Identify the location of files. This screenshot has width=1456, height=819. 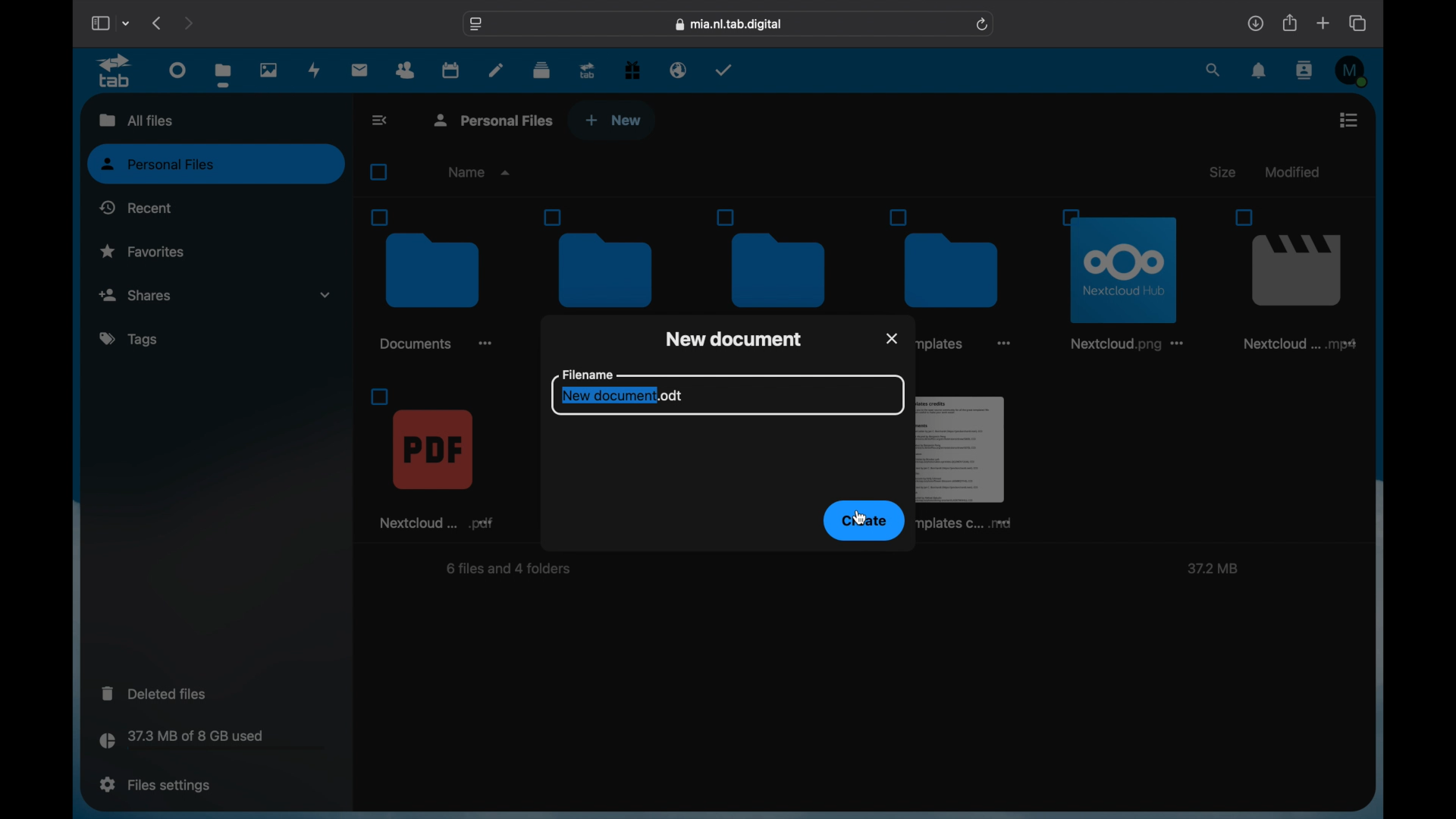
(223, 74).